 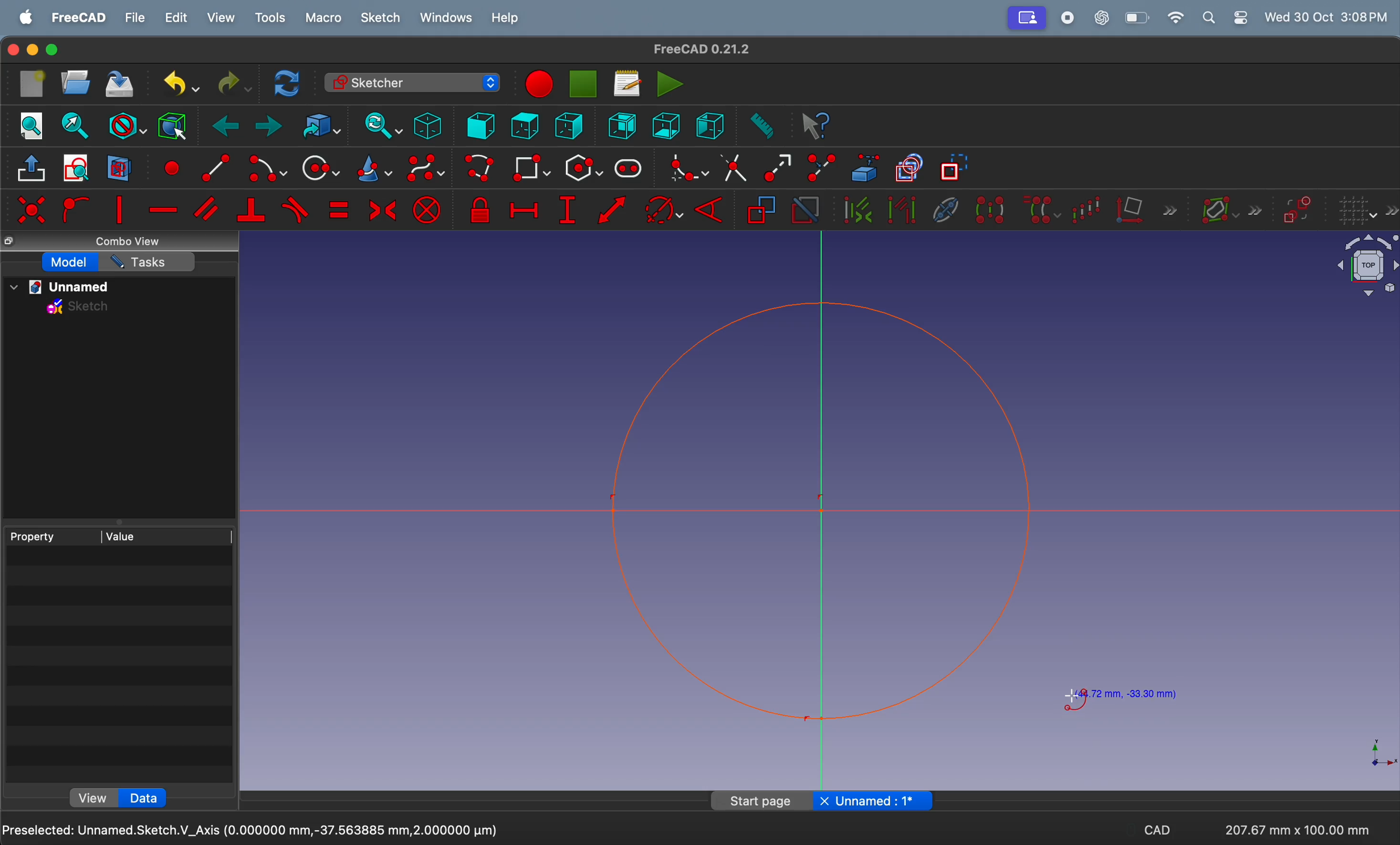 I want to click on open new document, so click(x=76, y=82).